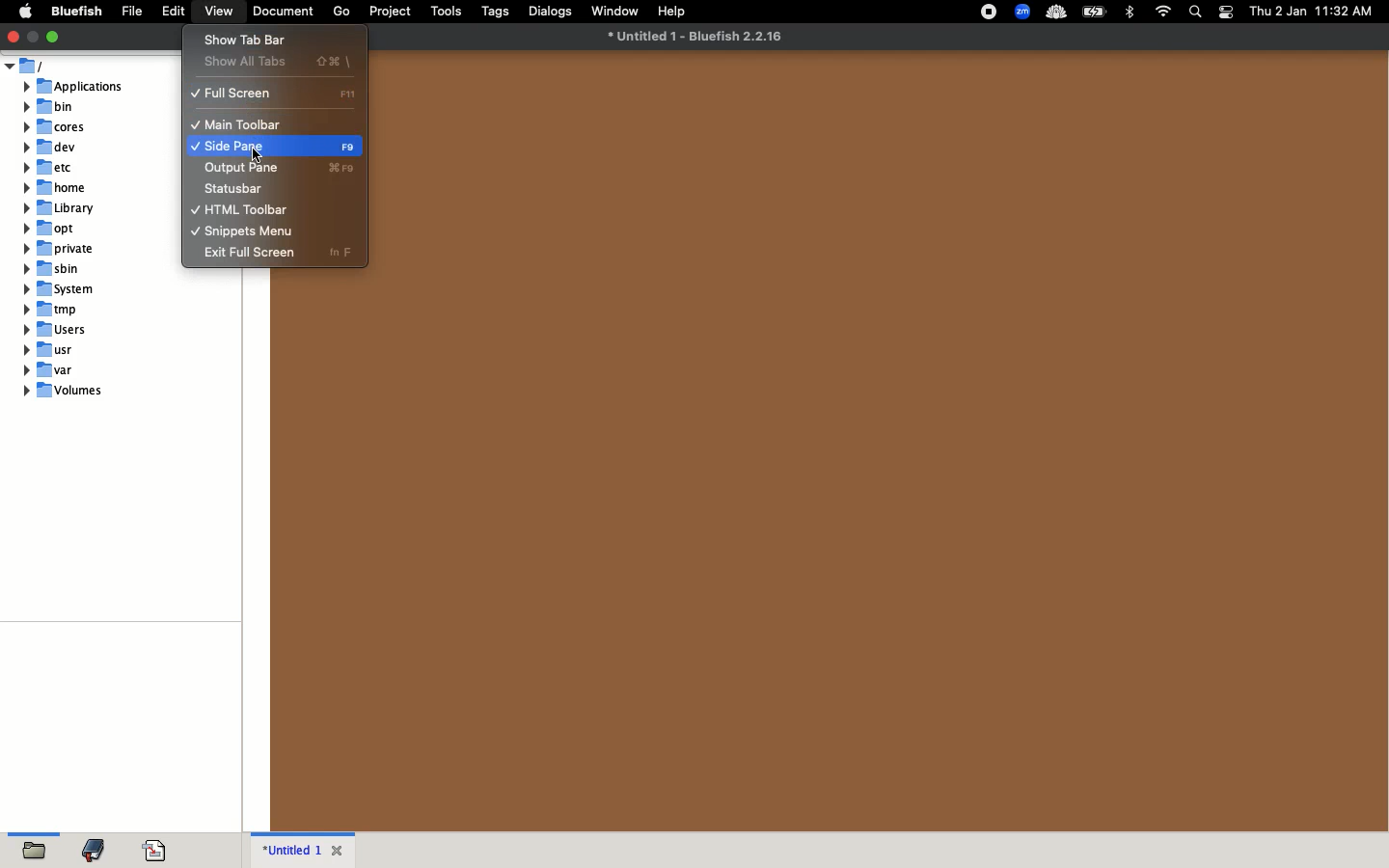  Describe the element at coordinates (271, 146) in the screenshot. I see `side pane` at that location.